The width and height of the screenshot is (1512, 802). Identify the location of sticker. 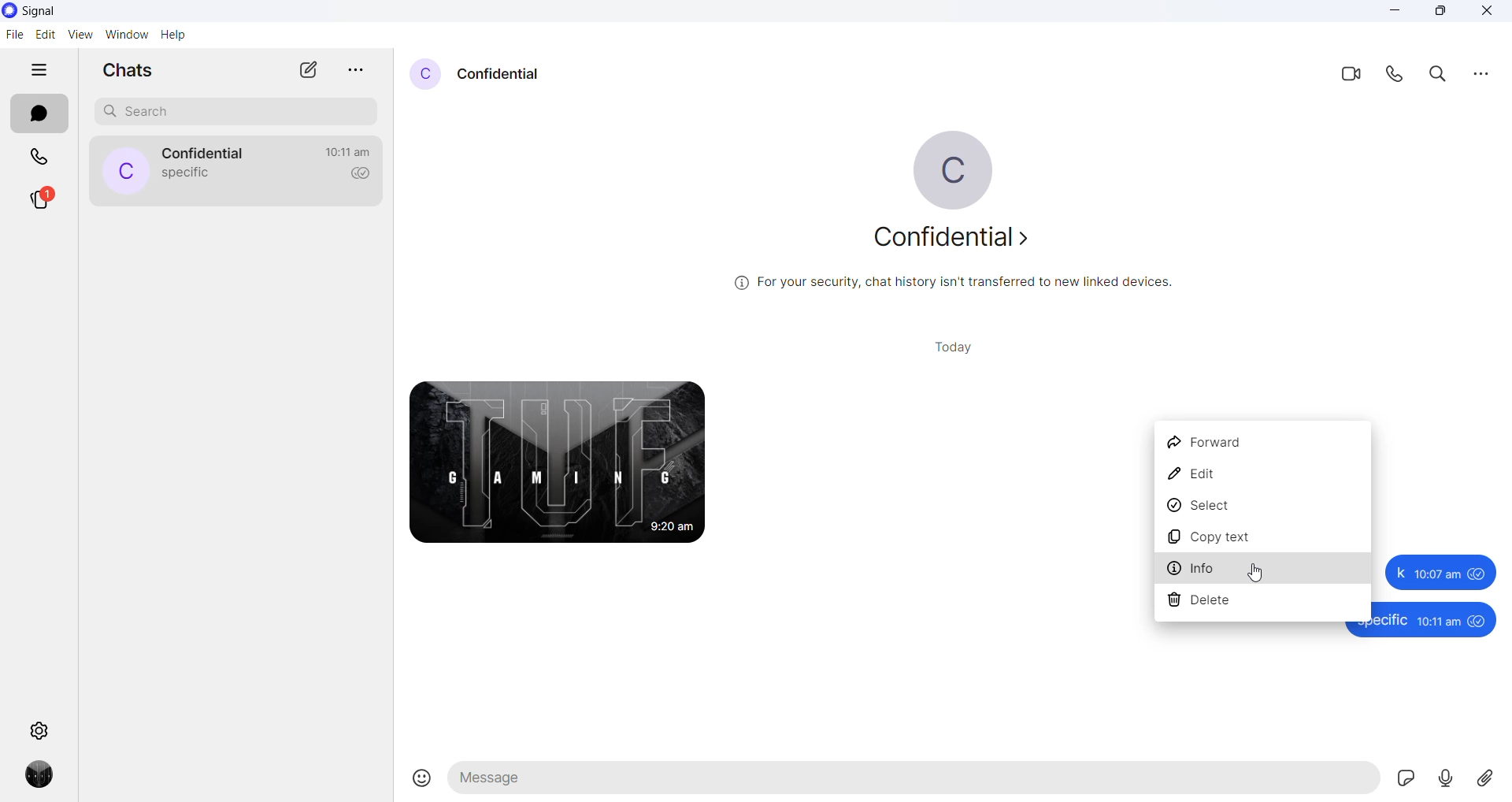
(1405, 779).